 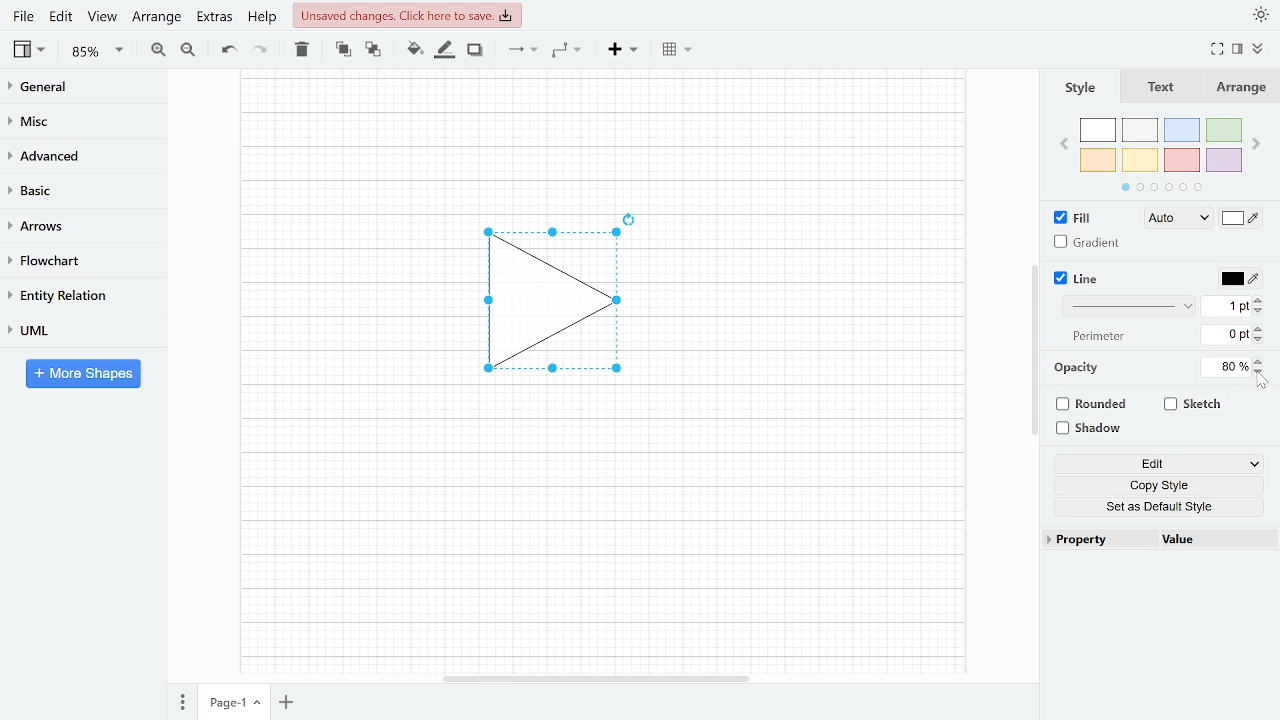 I want to click on Increase Opacity, so click(x=1260, y=360).